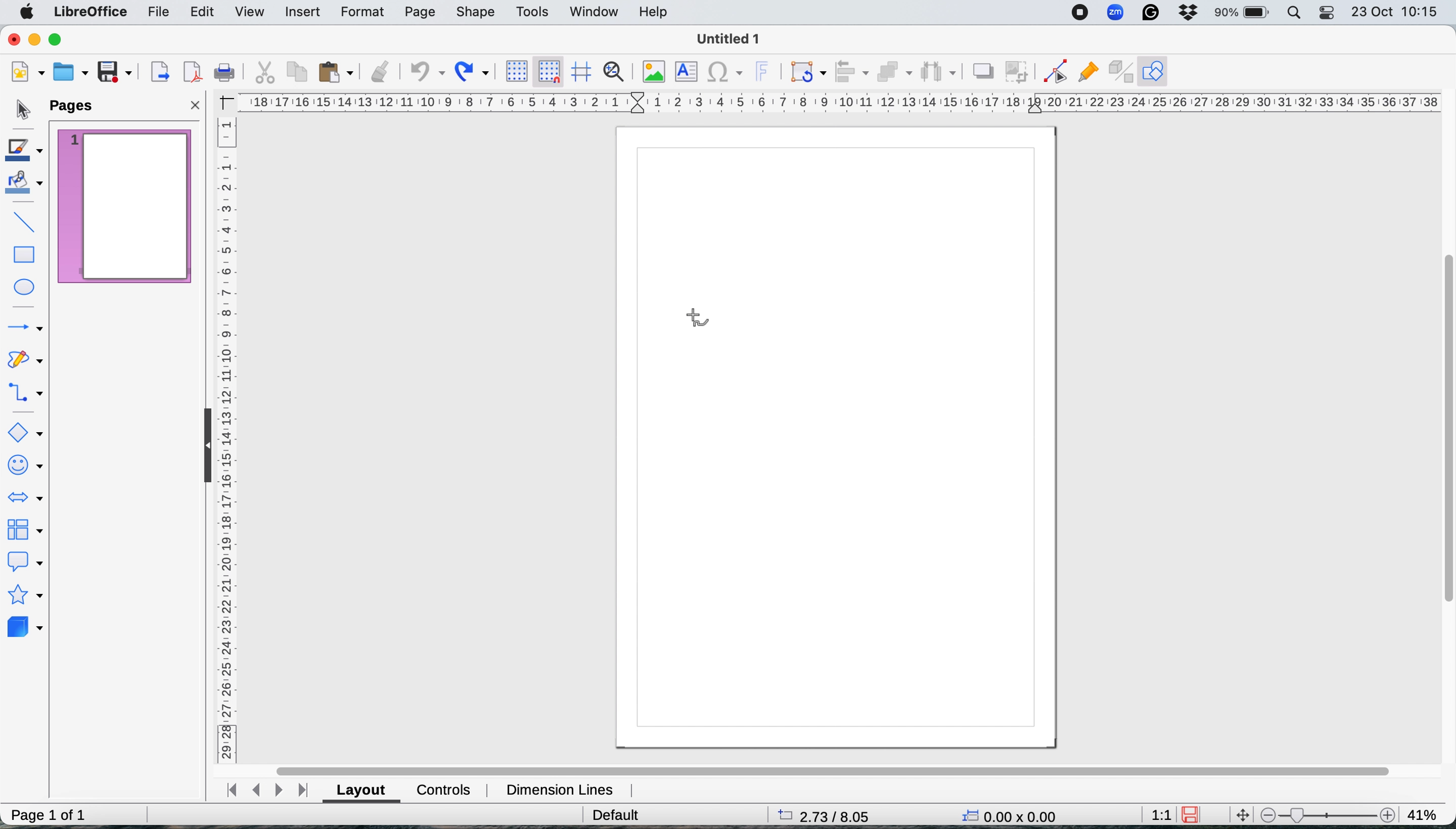 This screenshot has height=829, width=1456. Describe the element at coordinates (14, 39) in the screenshot. I see `close` at that location.